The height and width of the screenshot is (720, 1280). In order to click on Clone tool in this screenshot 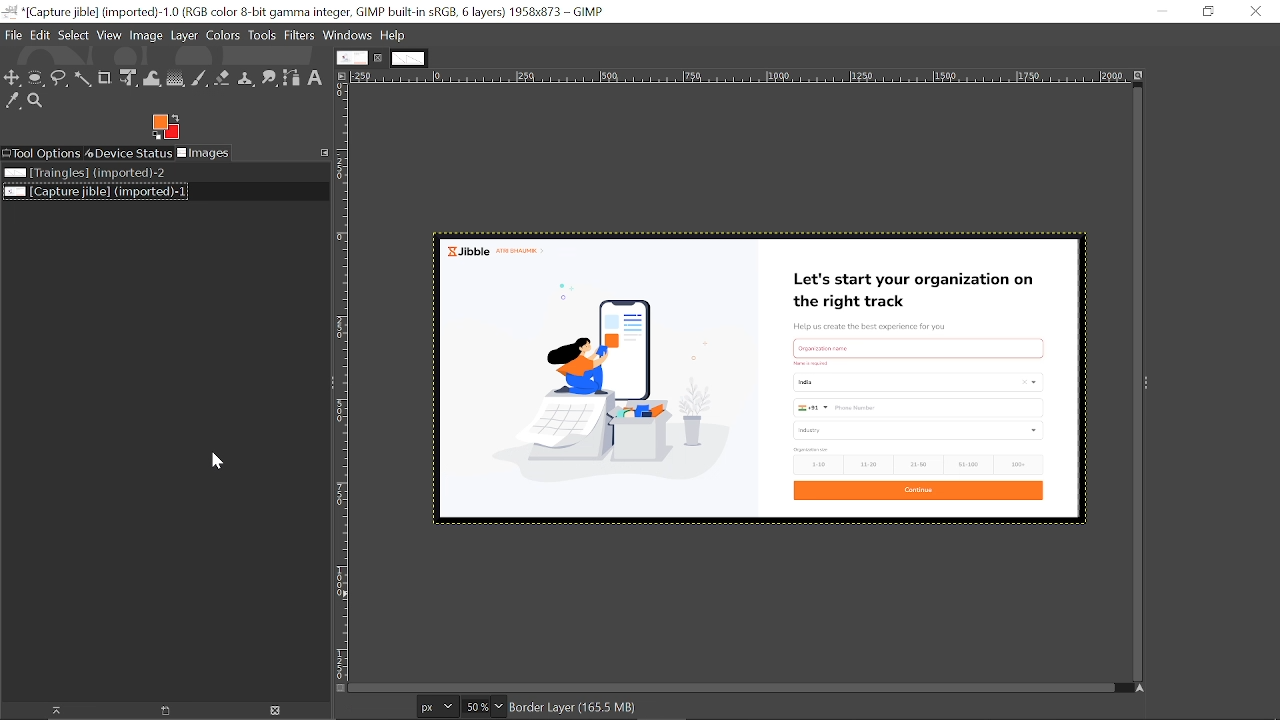, I will do `click(248, 79)`.